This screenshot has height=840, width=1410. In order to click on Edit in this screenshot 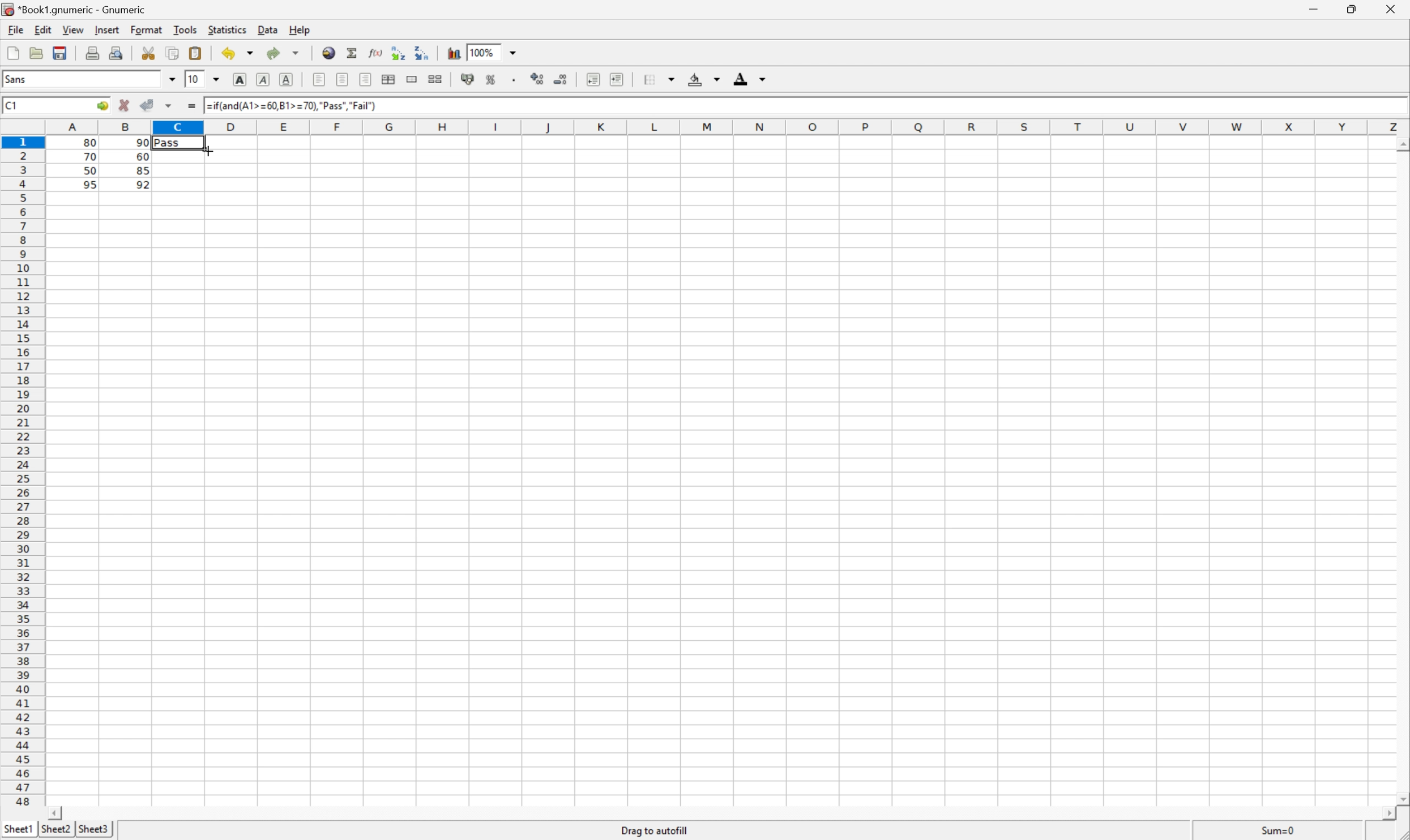, I will do `click(42, 31)`.